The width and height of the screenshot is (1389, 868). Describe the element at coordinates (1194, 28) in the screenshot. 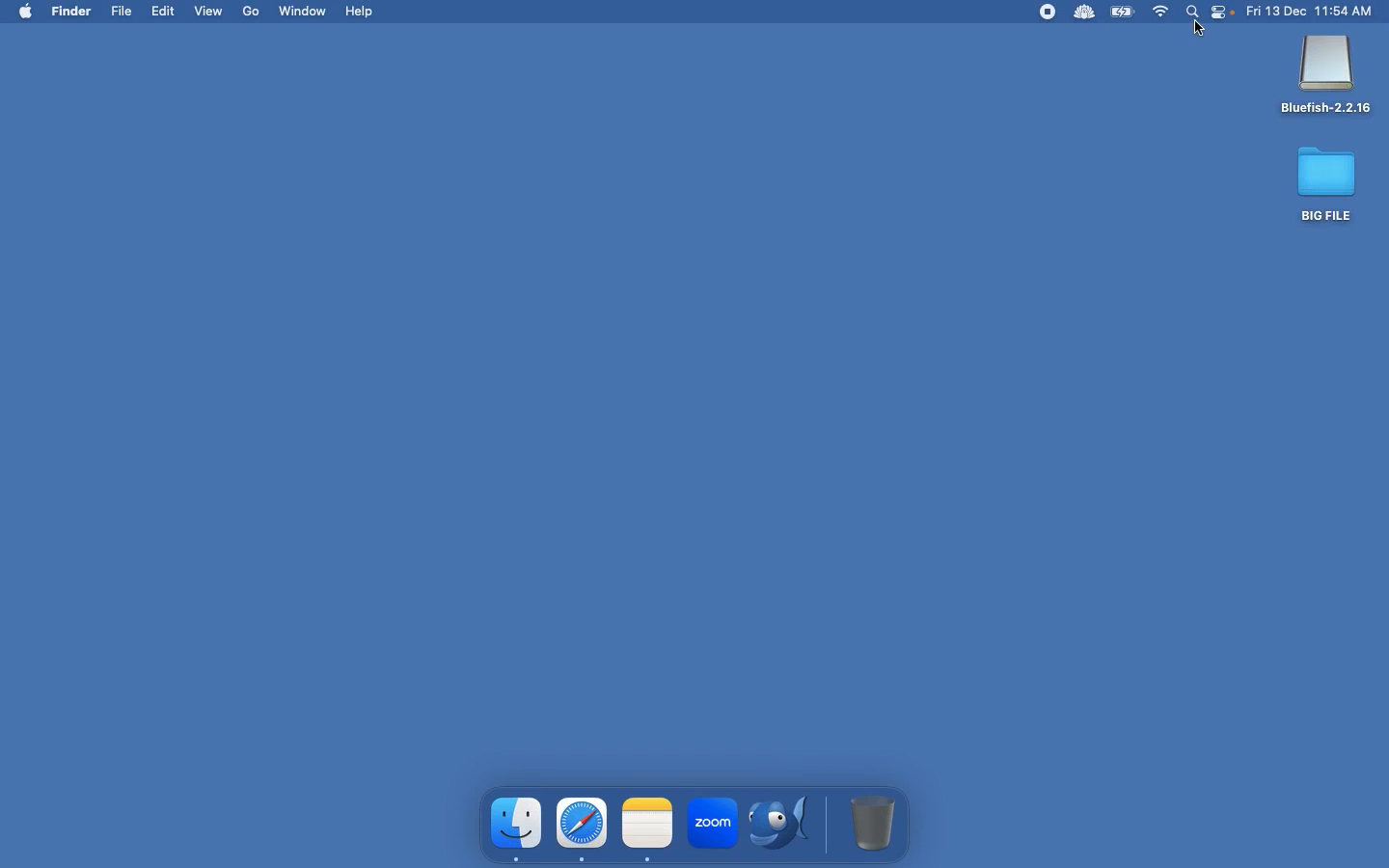

I see `Click` at that location.